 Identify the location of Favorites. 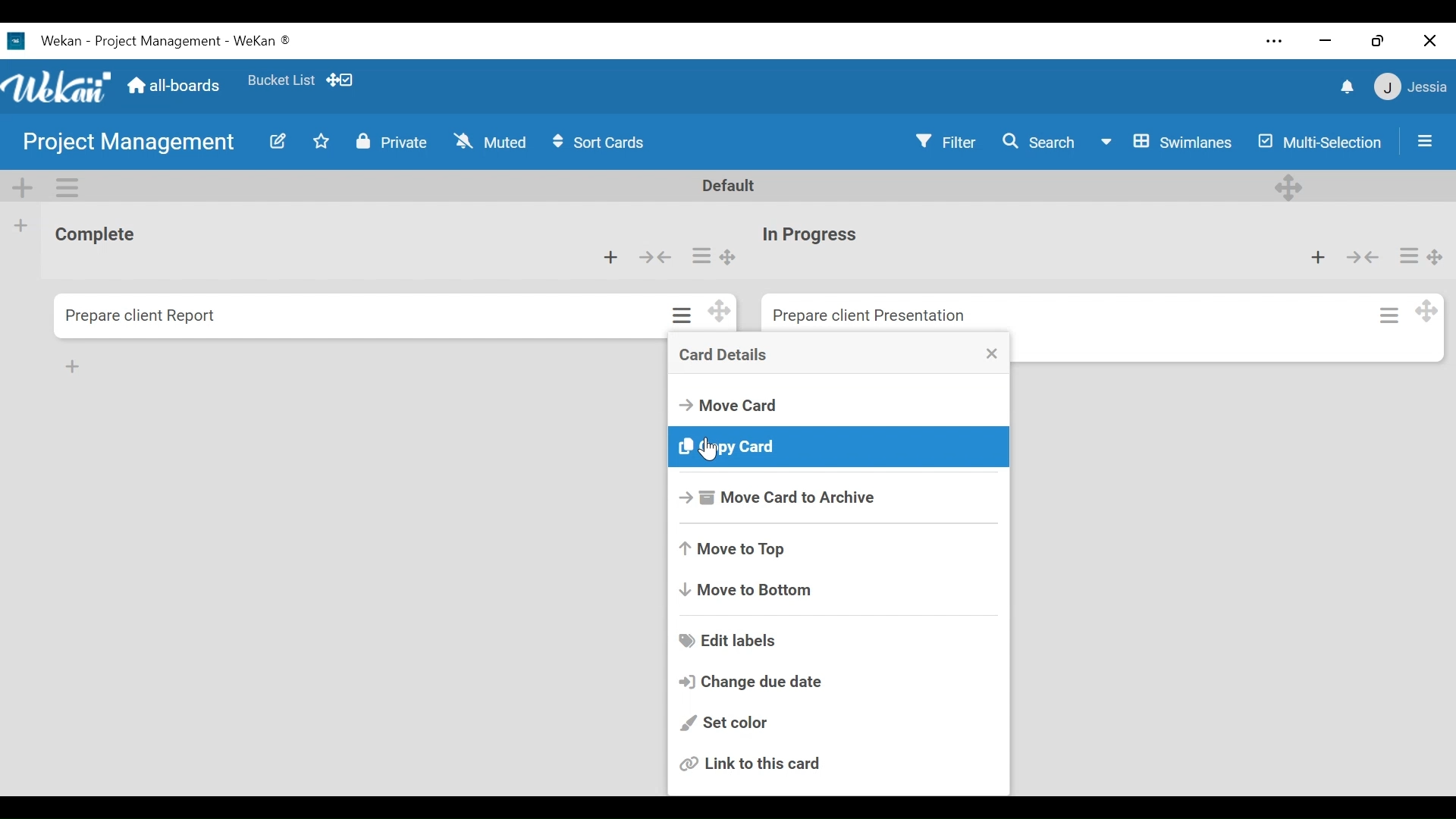
(284, 80).